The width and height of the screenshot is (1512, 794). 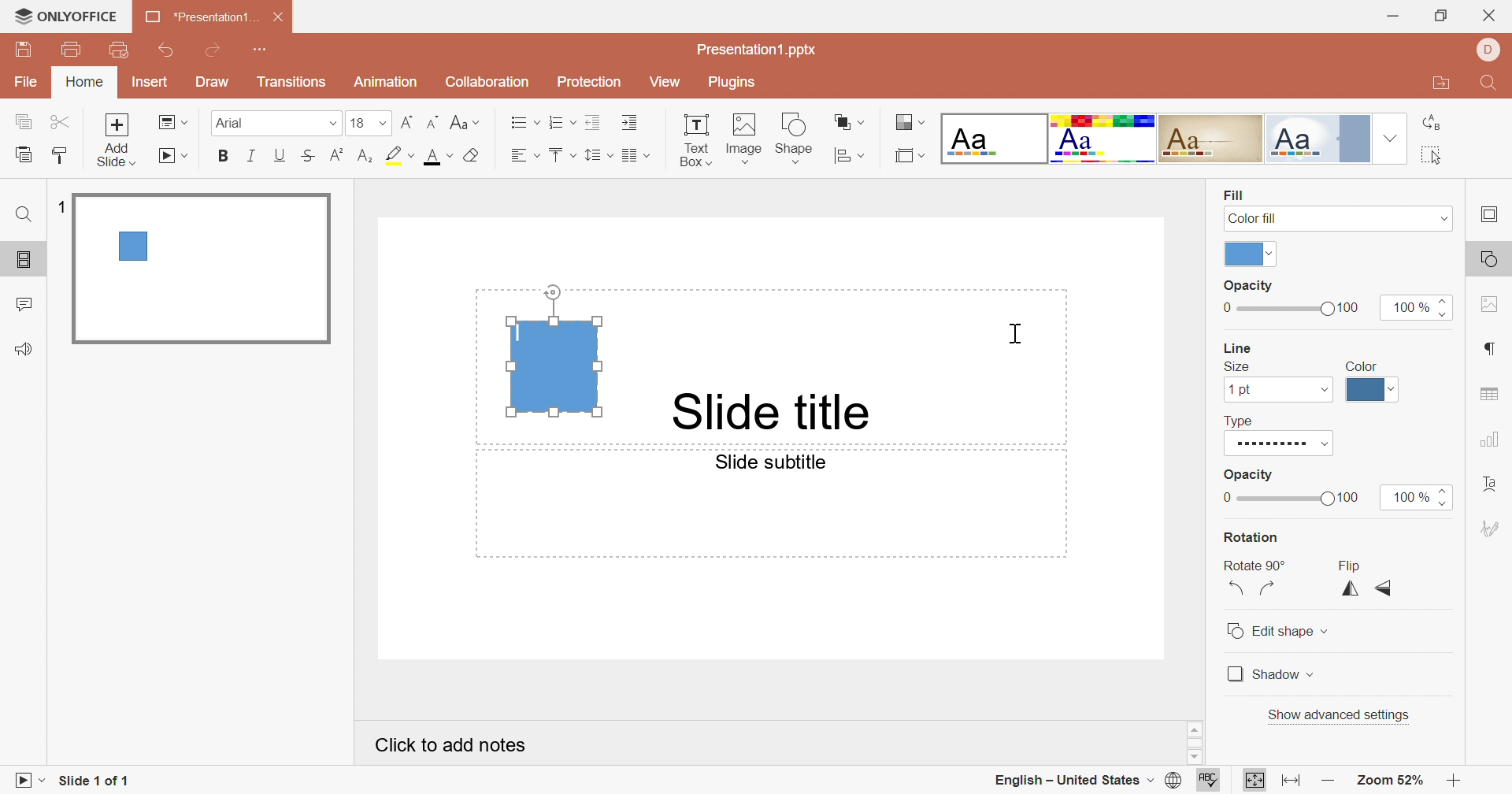 I want to click on Zoom 57%, so click(x=1392, y=781).